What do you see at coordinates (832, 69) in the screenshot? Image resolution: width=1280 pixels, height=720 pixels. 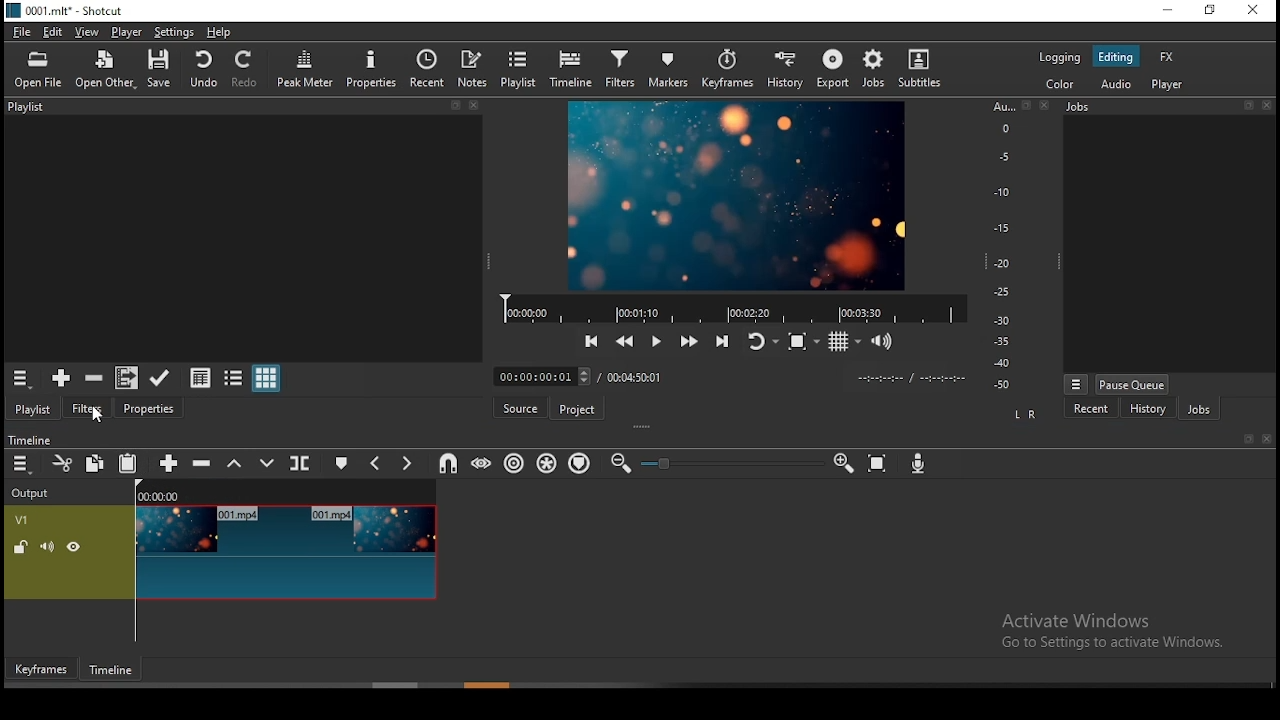 I see `export` at bounding box center [832, 69].